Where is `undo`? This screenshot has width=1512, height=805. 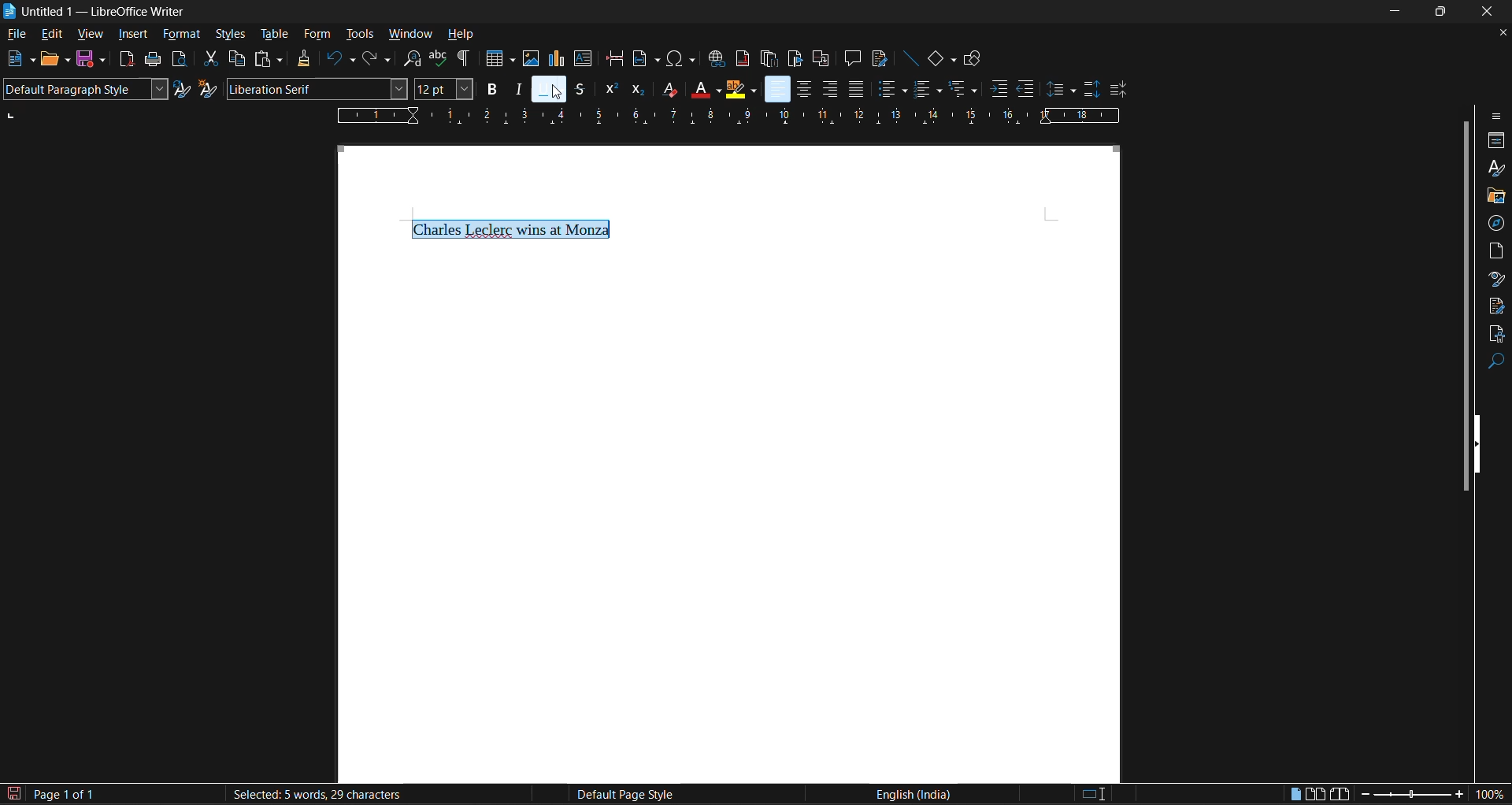
undo is located at coordinates (338, 58).